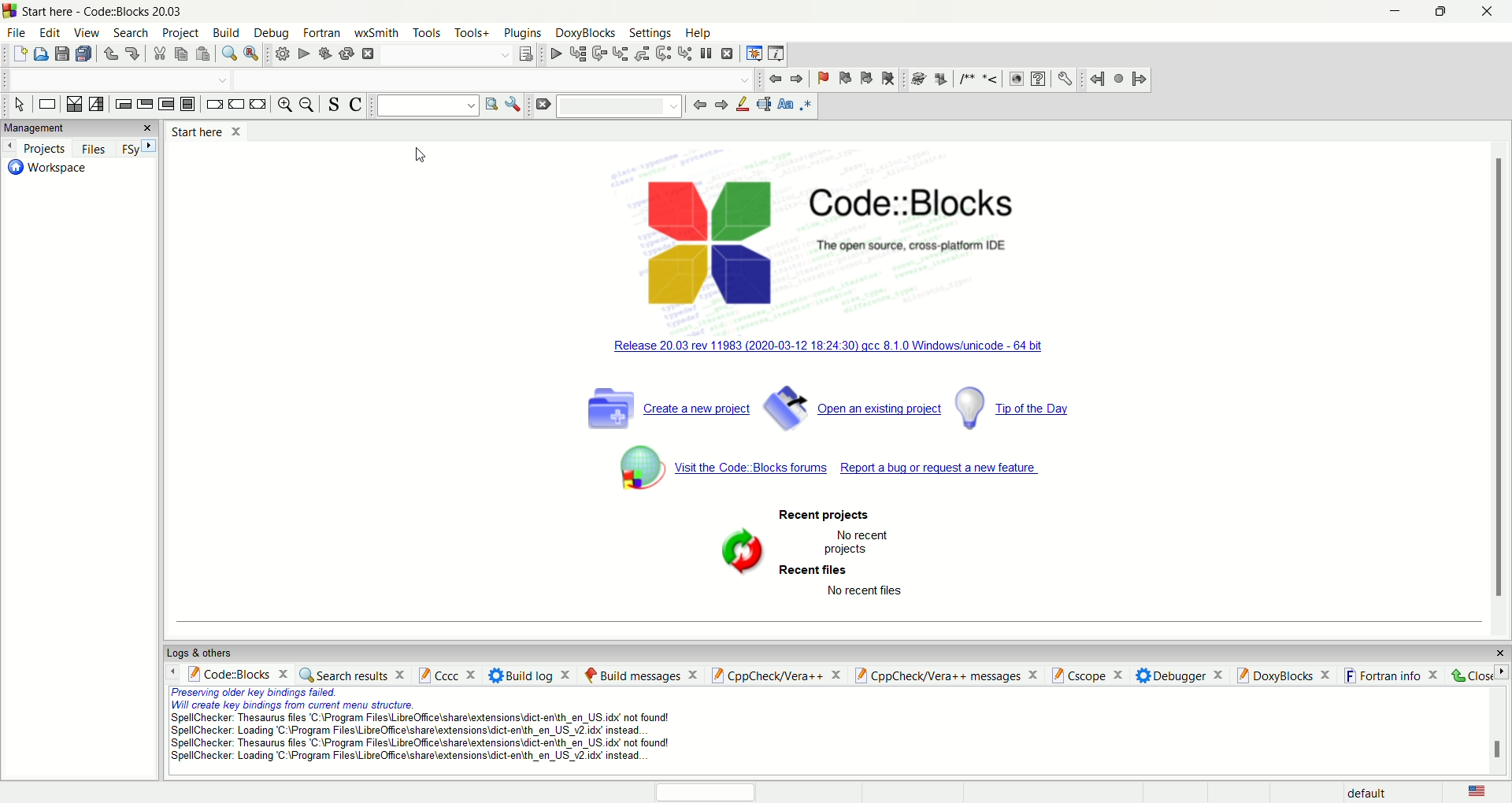  What do you see at coordinates (554, 56) in the screenshot?
I see `debug` at bounding box center [554, 56].